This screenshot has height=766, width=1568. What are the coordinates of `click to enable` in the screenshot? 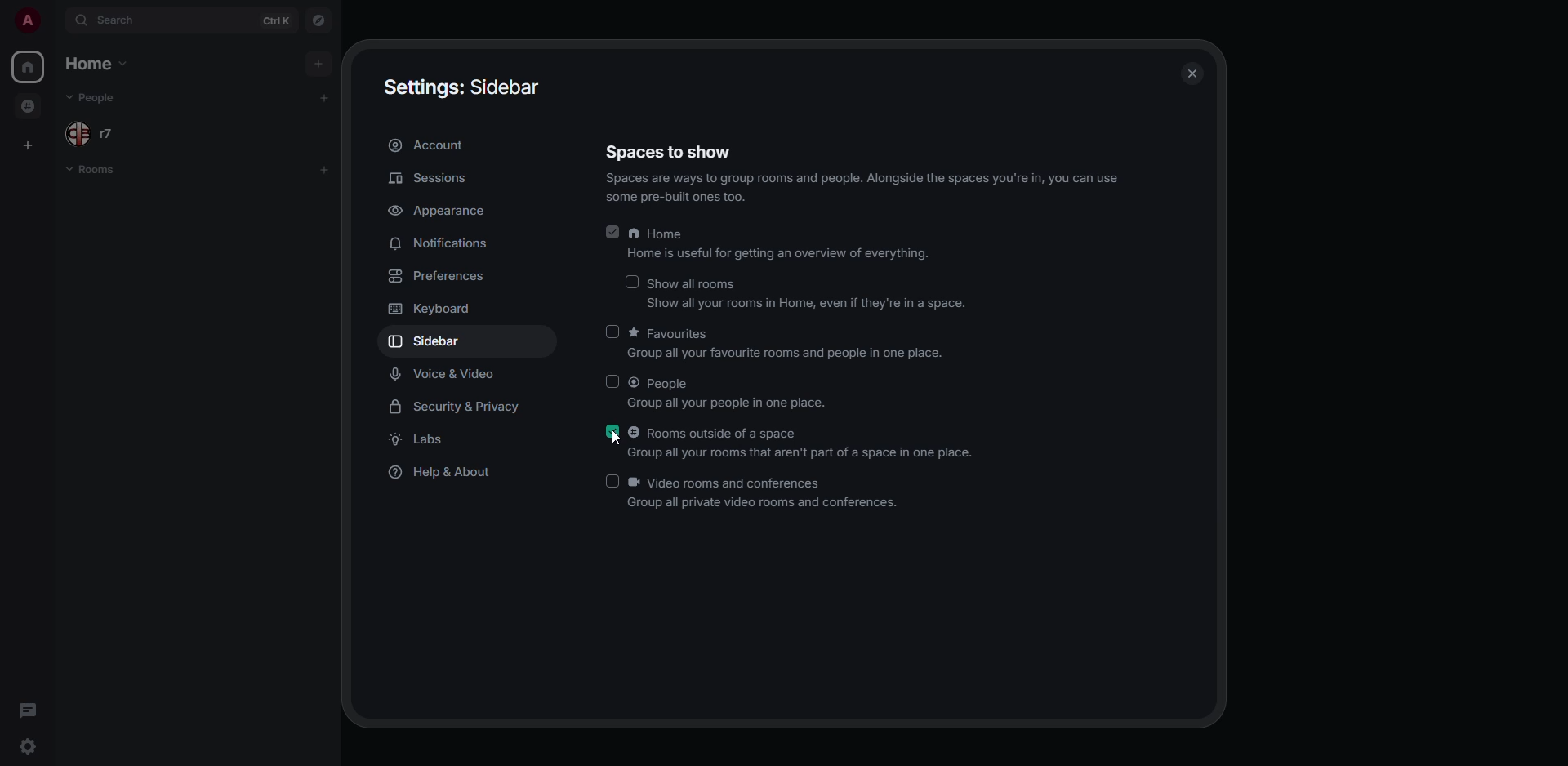 It's located at (629, 281).